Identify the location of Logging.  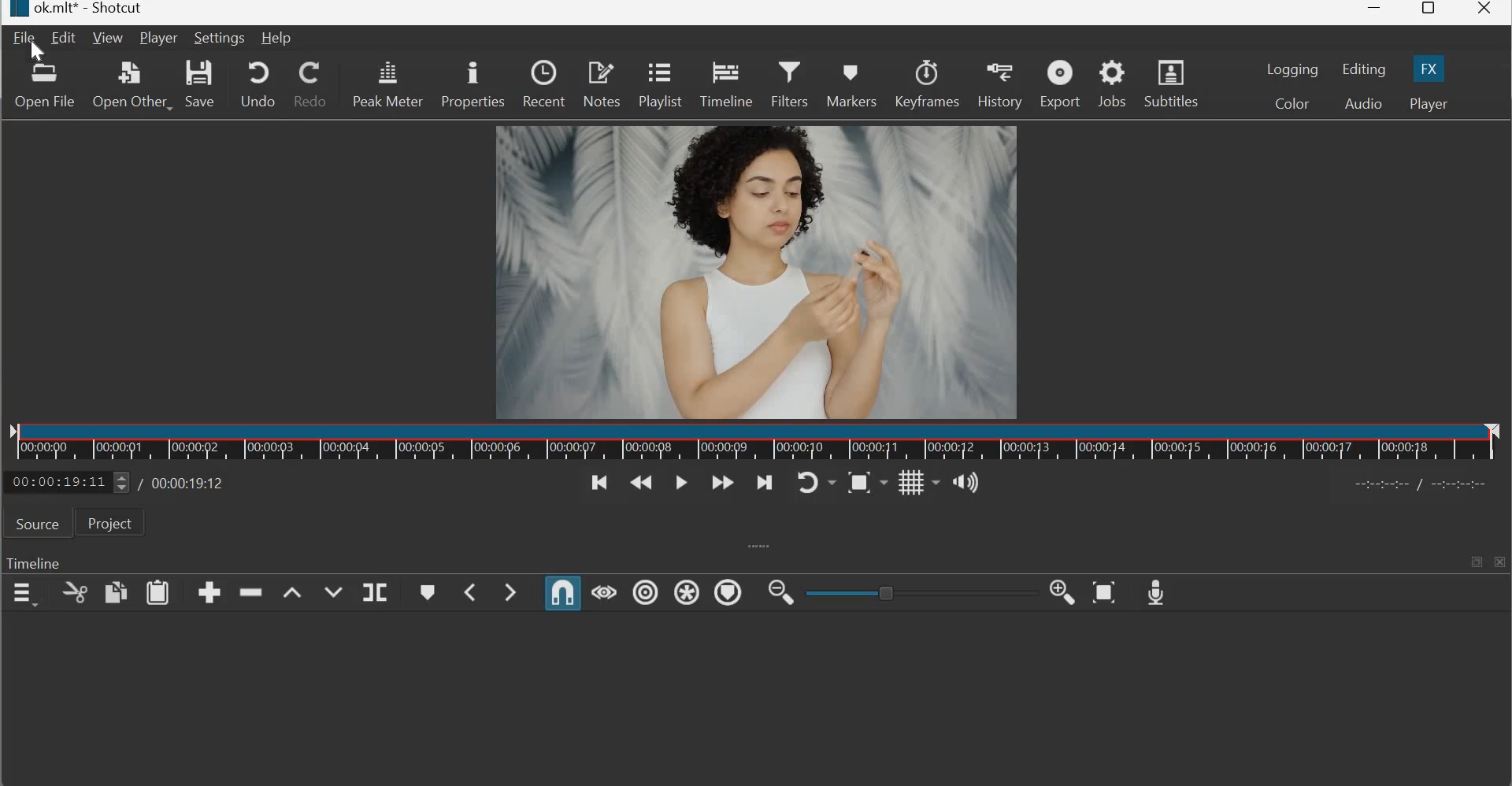
(1293, 69).